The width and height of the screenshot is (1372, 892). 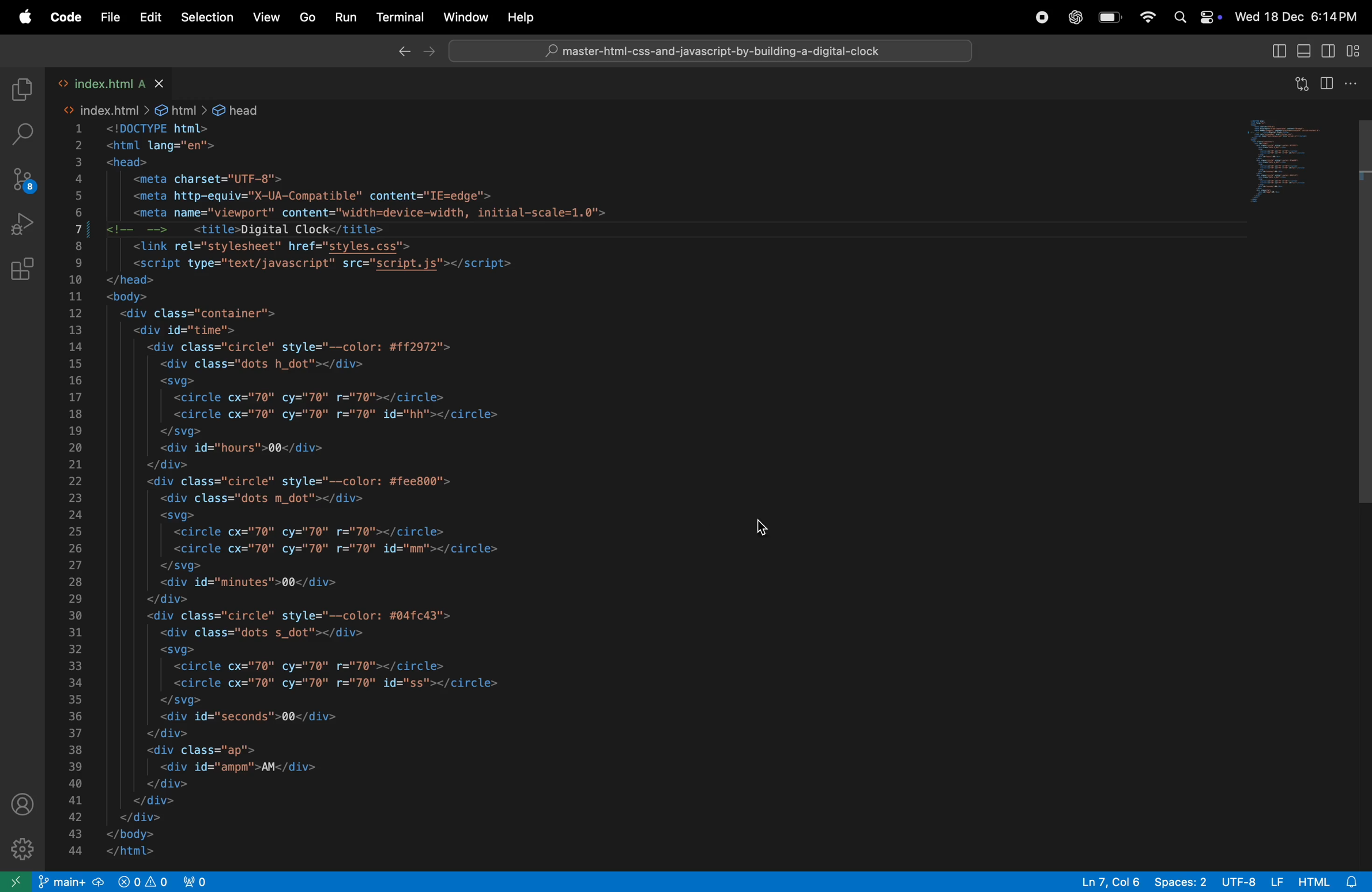 What do you see at coordinates (1198, 18) in the screenshot?
I see `apple widgets` at bounding box center [1198, 18].